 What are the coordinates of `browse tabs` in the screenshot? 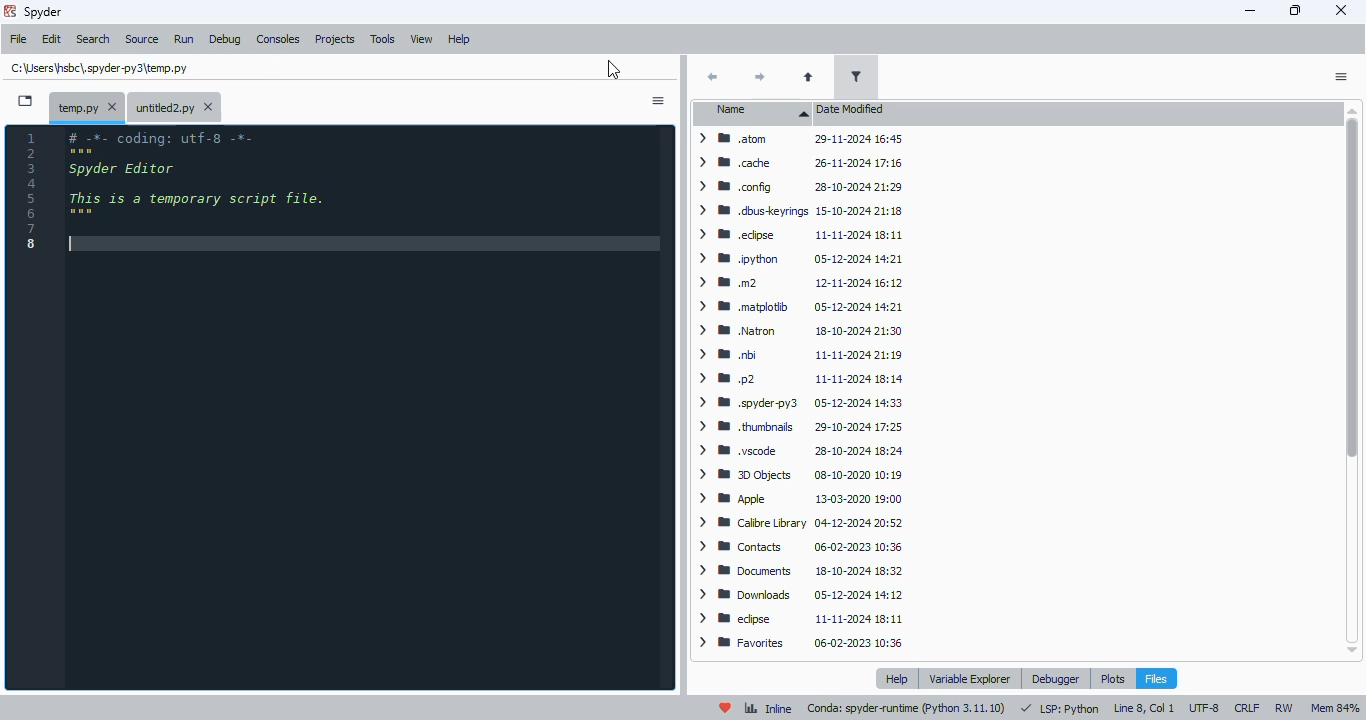 It's located at (23, 100).